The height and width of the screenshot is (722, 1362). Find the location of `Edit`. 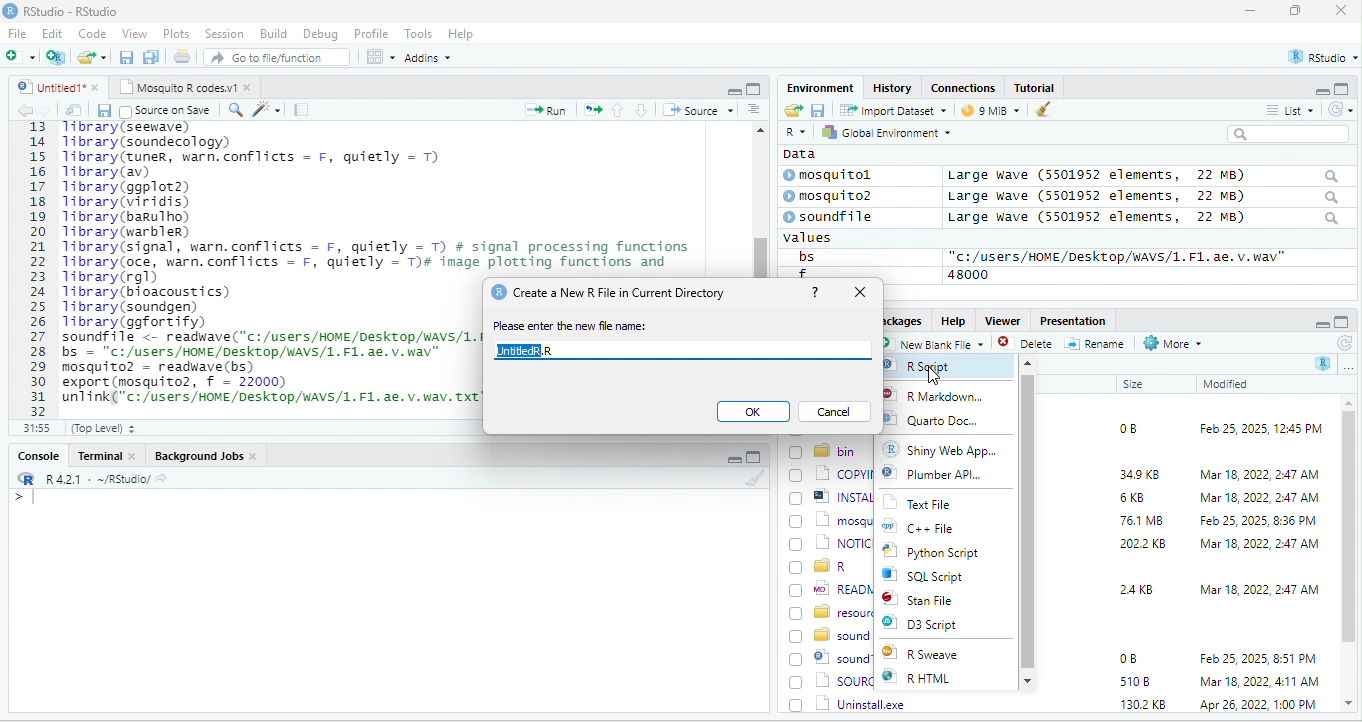

Edit is located at coordinates (54, 33).